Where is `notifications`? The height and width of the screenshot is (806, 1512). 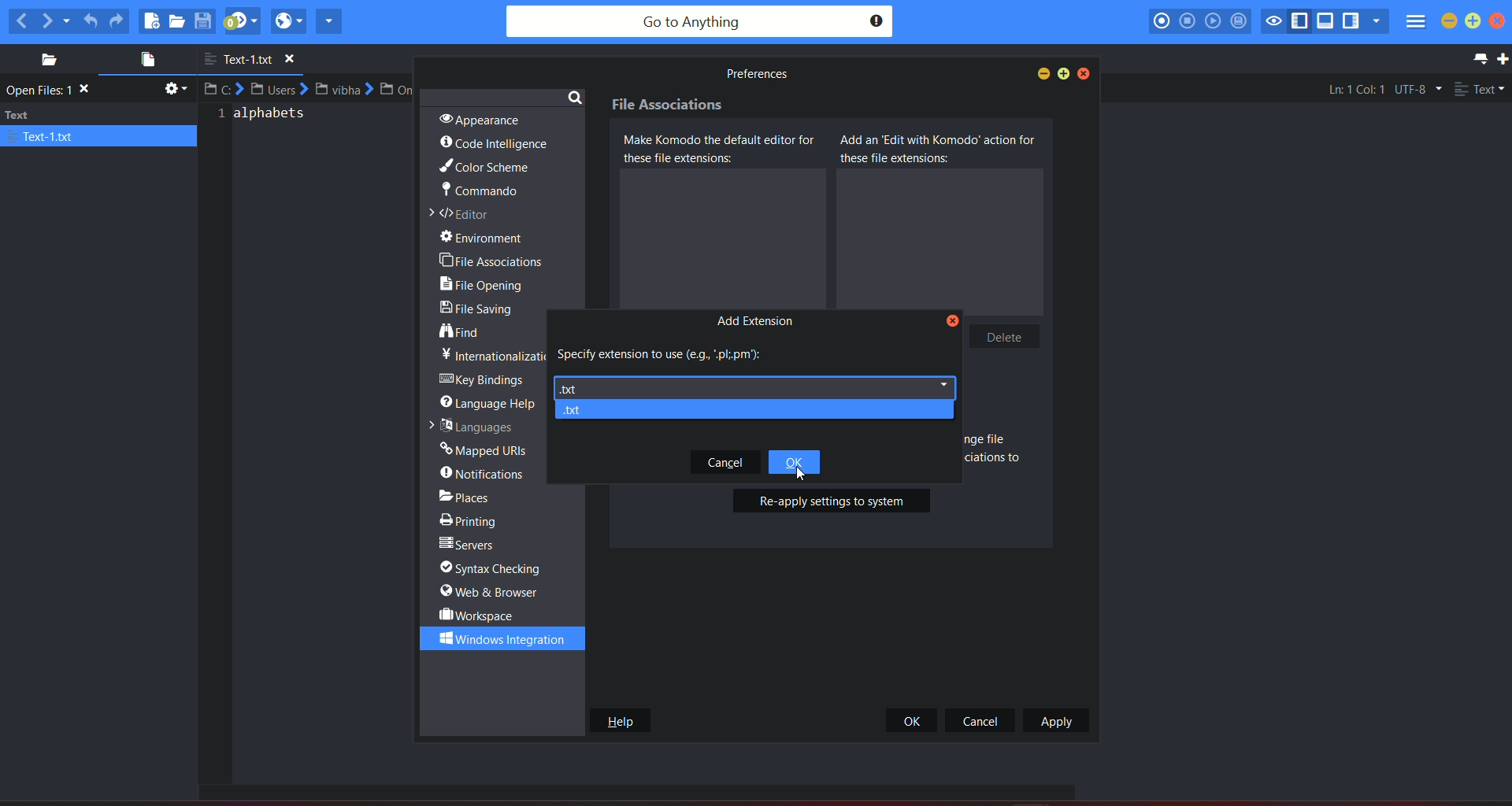
notifications is located at coordinates (485, 473).